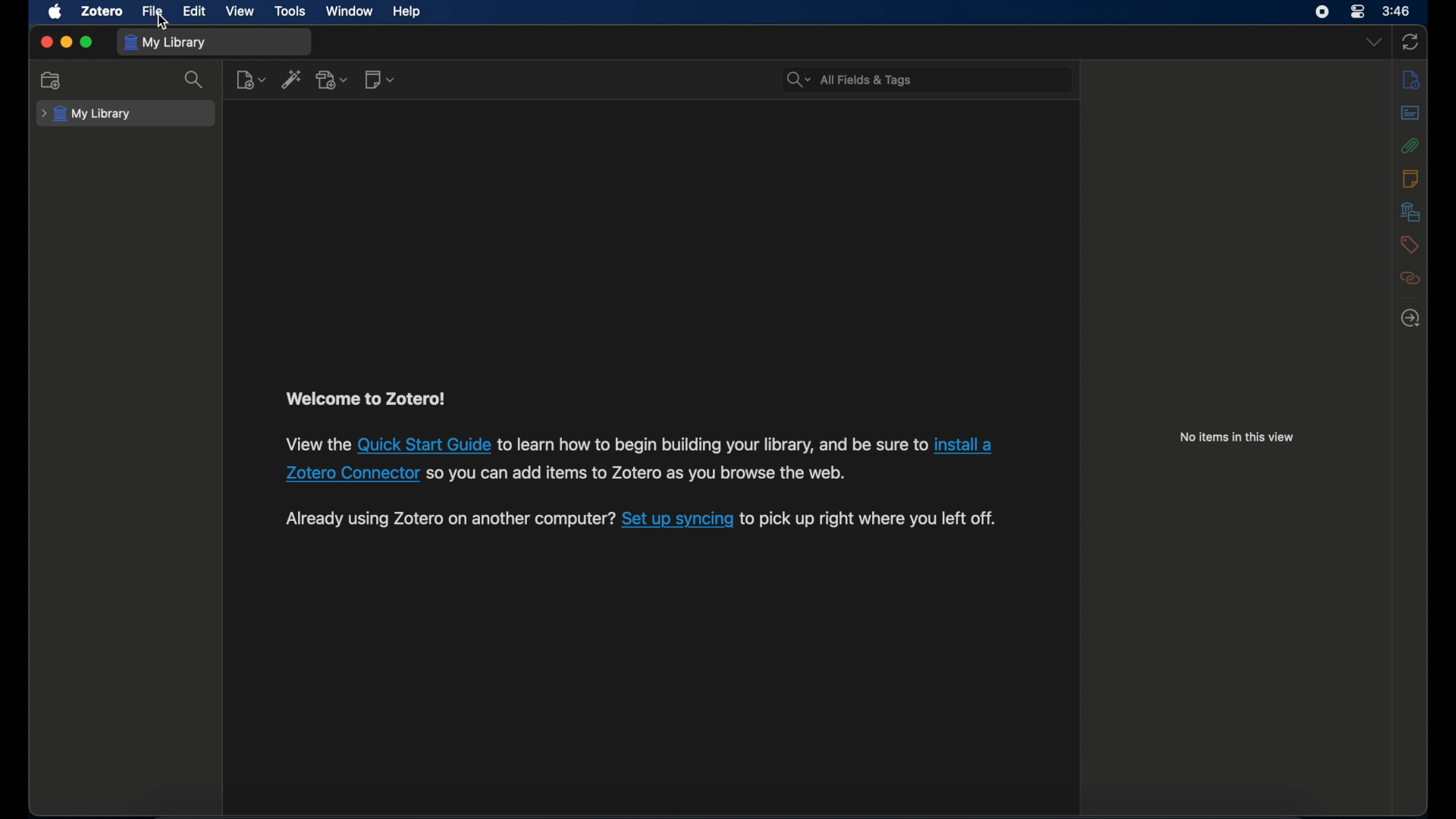 Image resolution: width=1456 pixels, height=819 pixels. I want to click on file, so click(151, 10).